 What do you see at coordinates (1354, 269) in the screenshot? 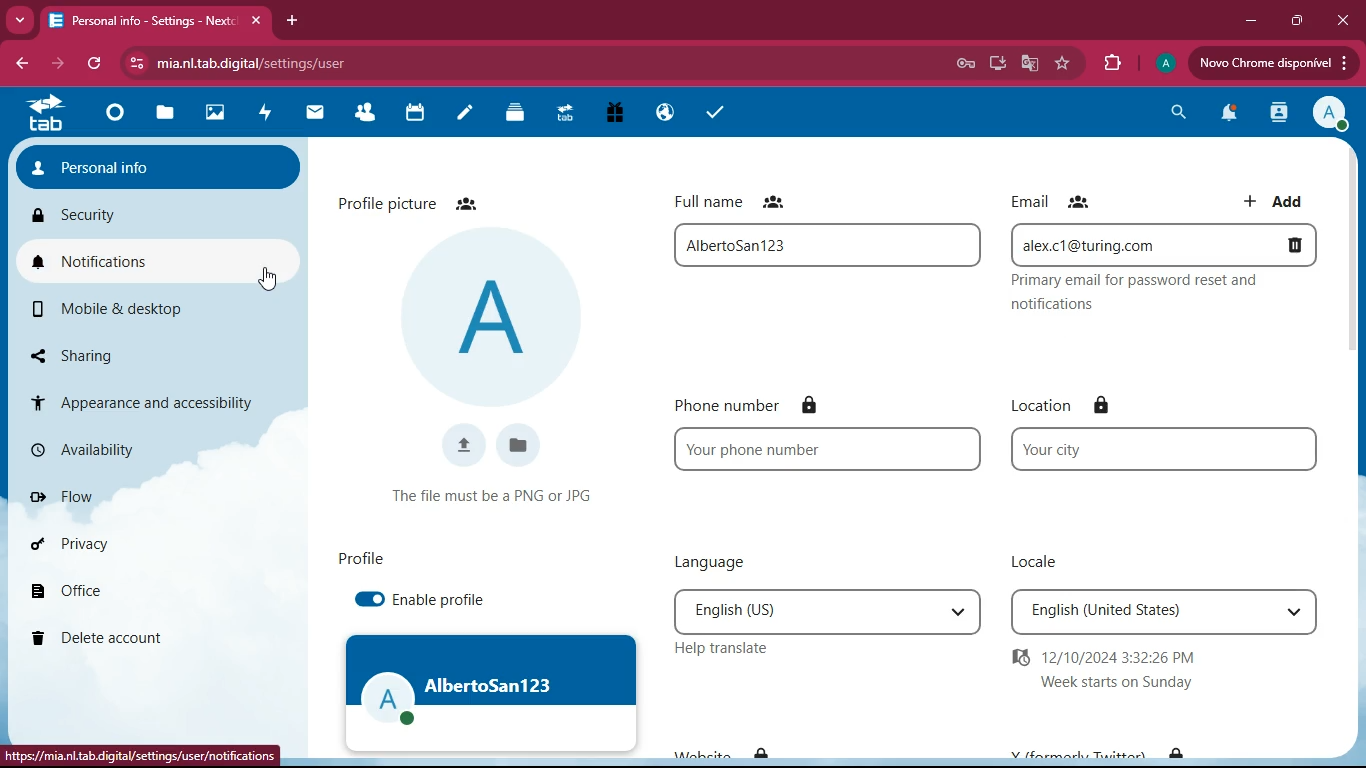
I see `scrollbar` at bounding box center [1354, 269].